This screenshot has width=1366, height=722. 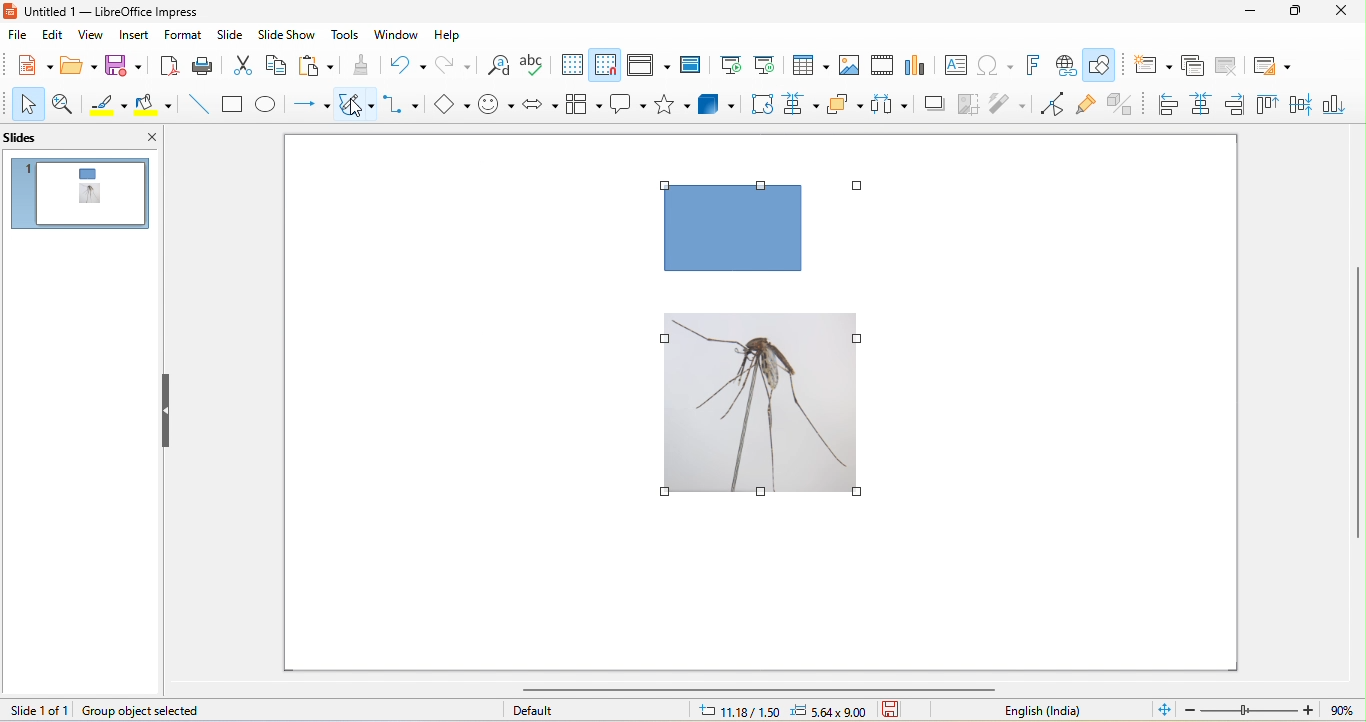 What do you see at coordinates (1336, 13) in the screenshot?
I see `close` at bounding box center [1336, 13].